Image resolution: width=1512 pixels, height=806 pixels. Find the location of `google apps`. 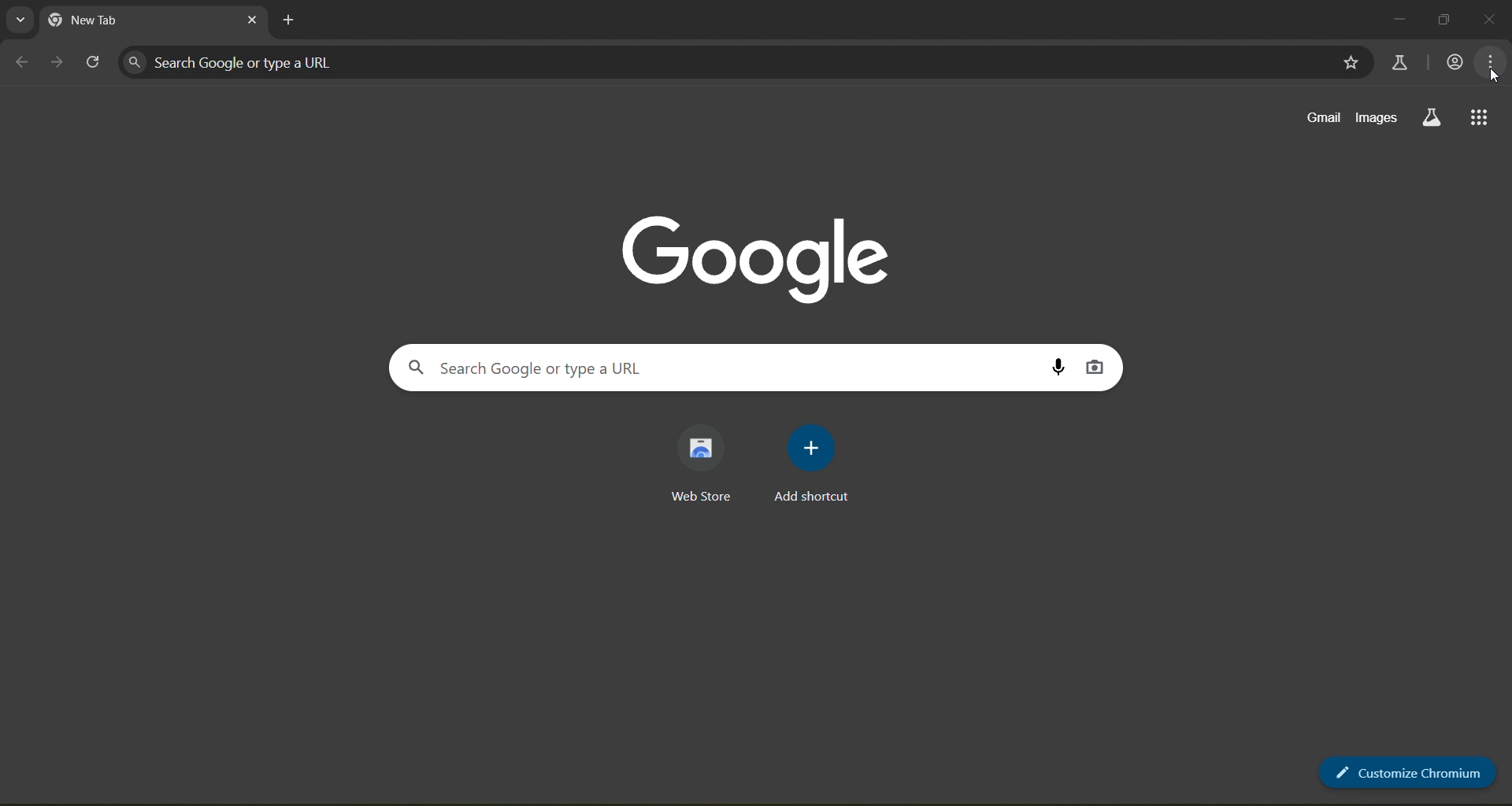

google apps is located at coordinates (1480, 117).